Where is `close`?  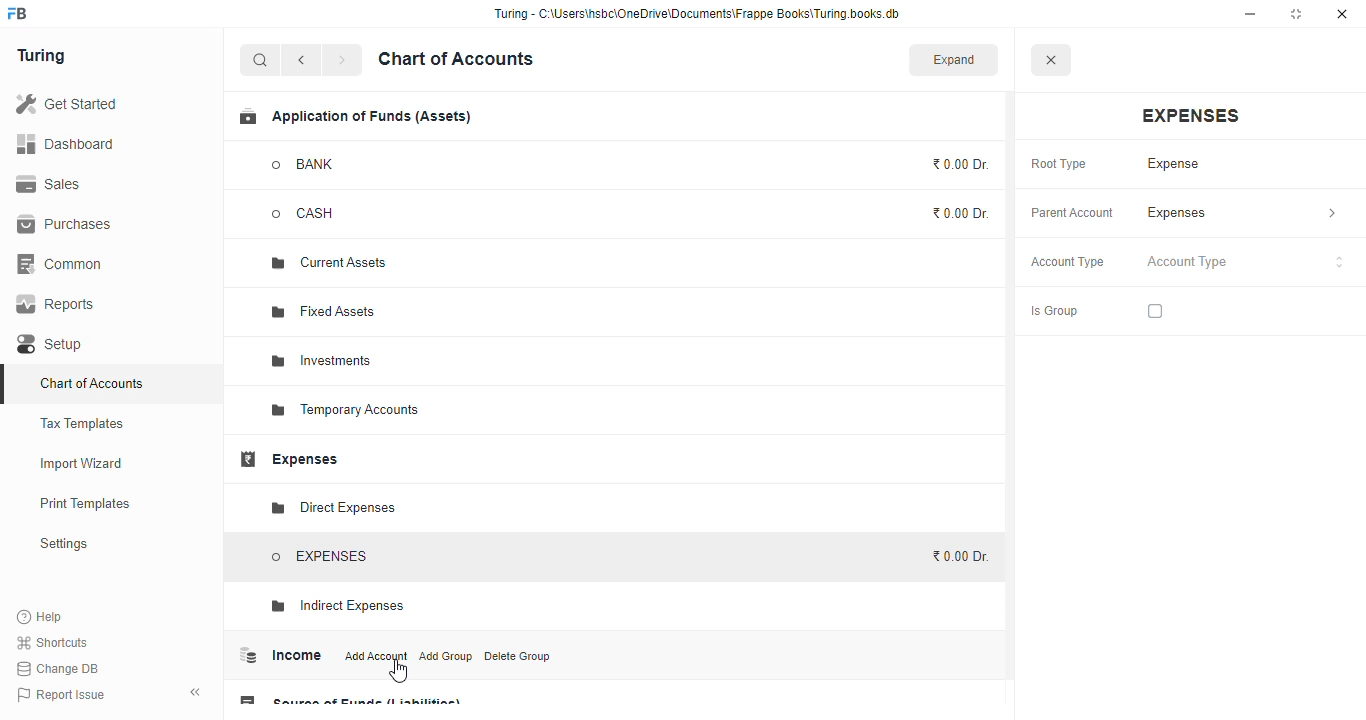 close is located at coordinates (1342, 14).